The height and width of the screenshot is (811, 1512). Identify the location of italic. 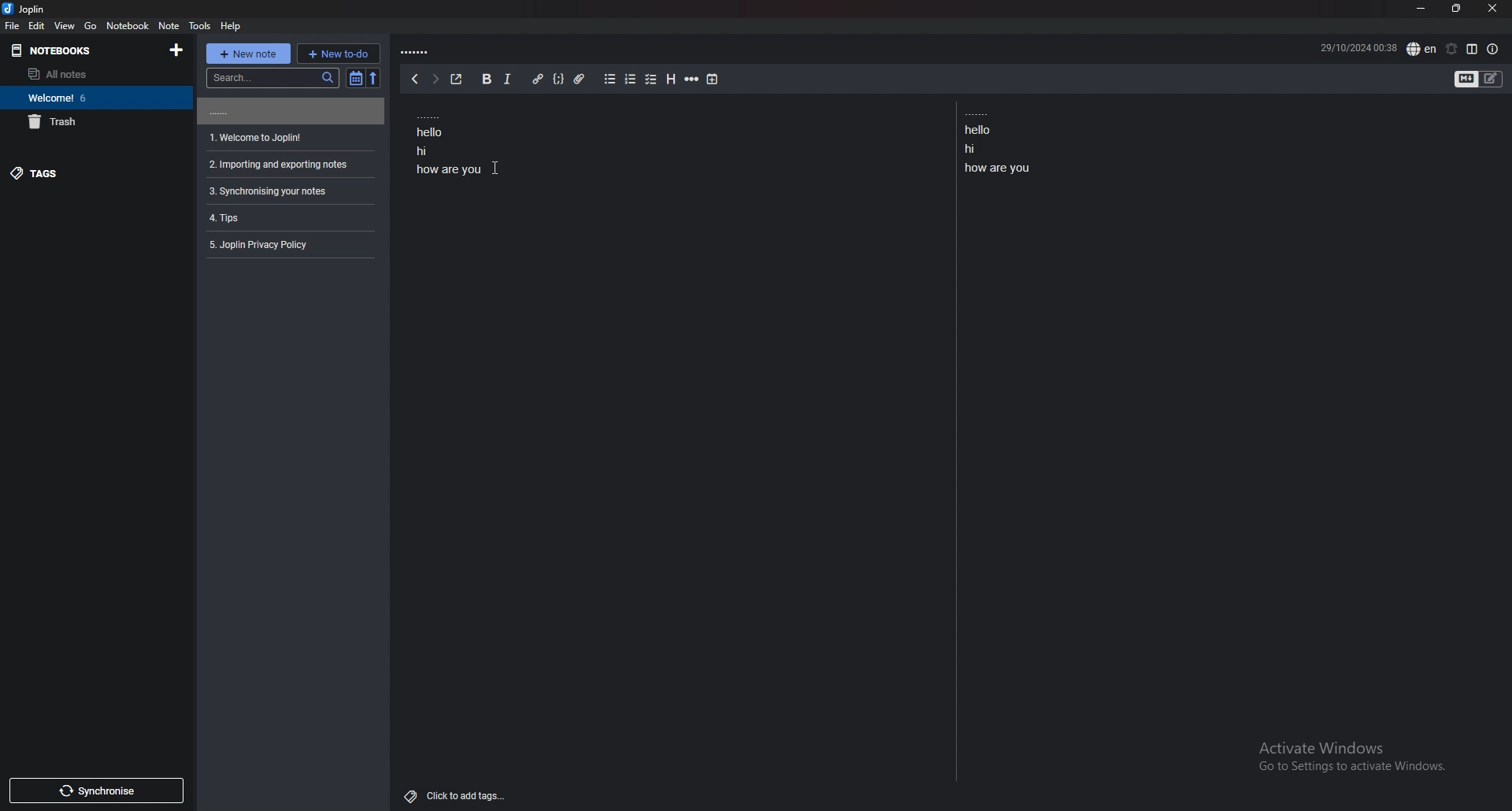
(509, 79).